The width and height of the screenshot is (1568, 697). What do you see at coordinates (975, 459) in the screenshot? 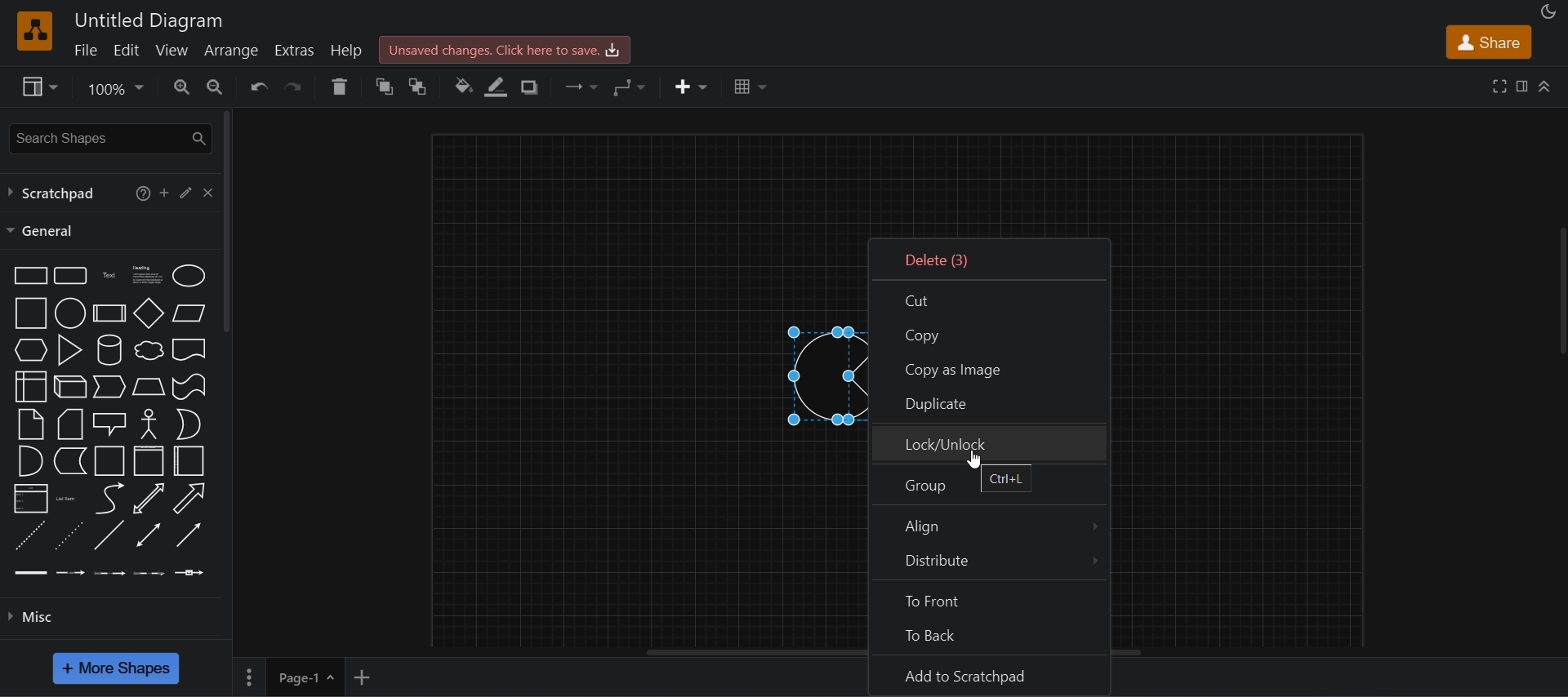
I see `cursor` at bounding box center [975, 459].